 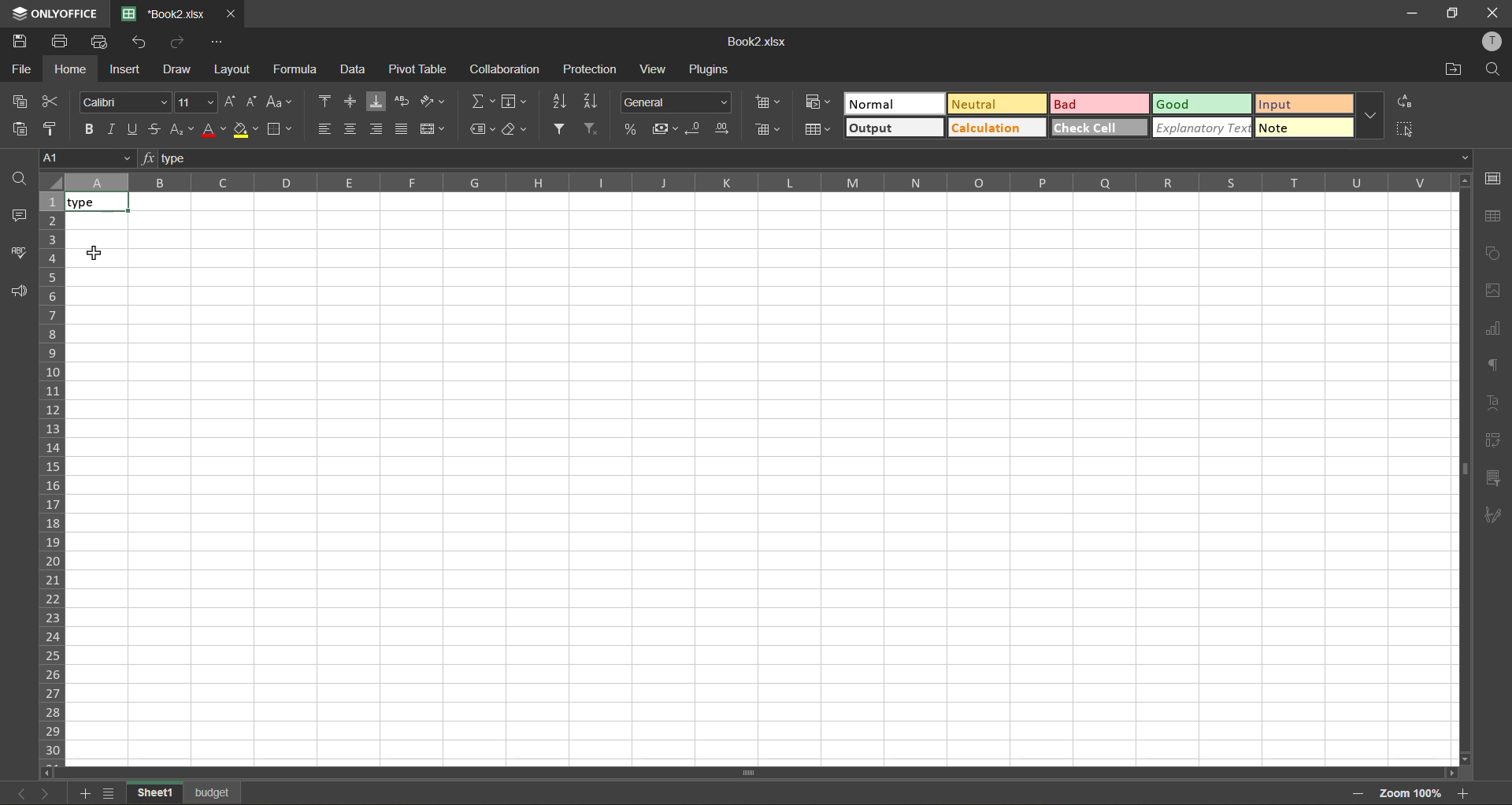 What do you see at coordinates (81, 795) in the screenshot?
I see `add sheet` at bounding box center [81, 795].